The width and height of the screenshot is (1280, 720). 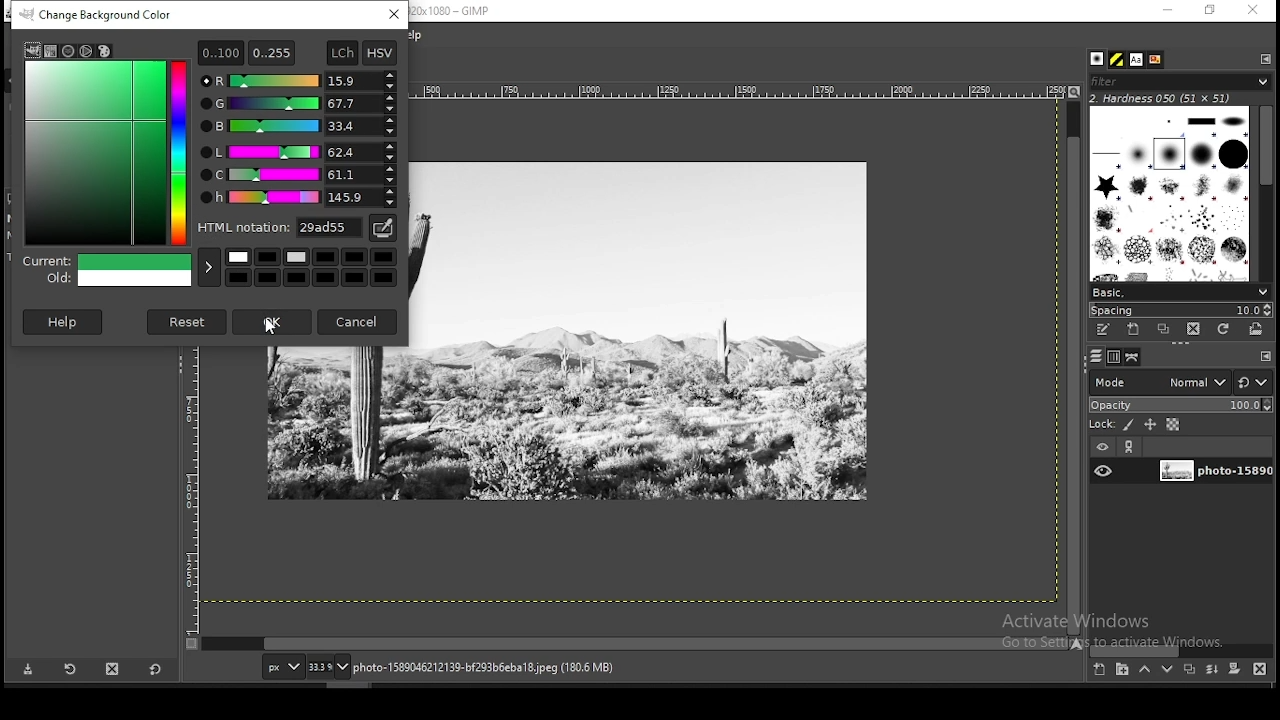 I want to click on delete this layer, so click(x=1260, y=668).